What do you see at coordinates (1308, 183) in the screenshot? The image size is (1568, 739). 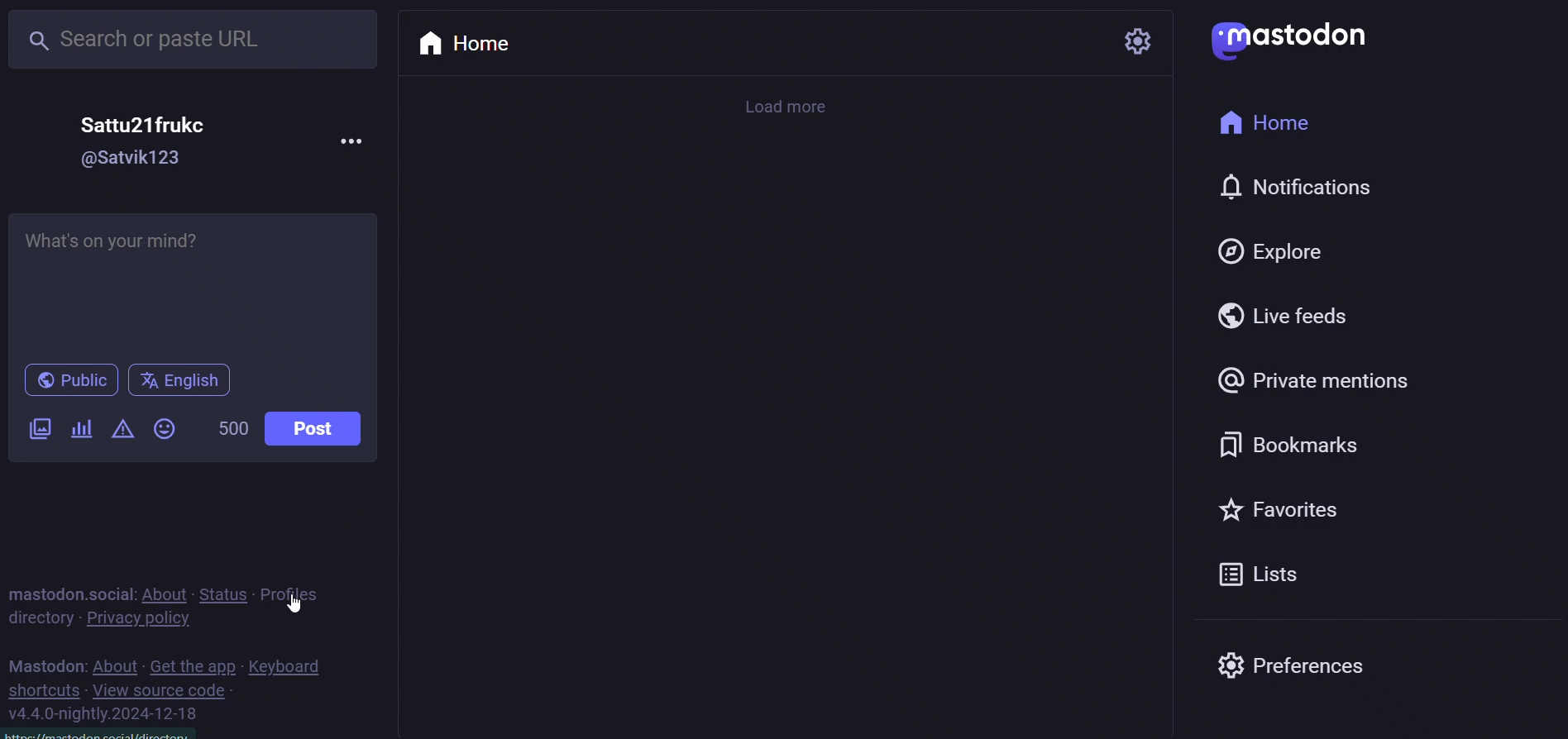 I see `notification` at bounding box center [1308, 183].